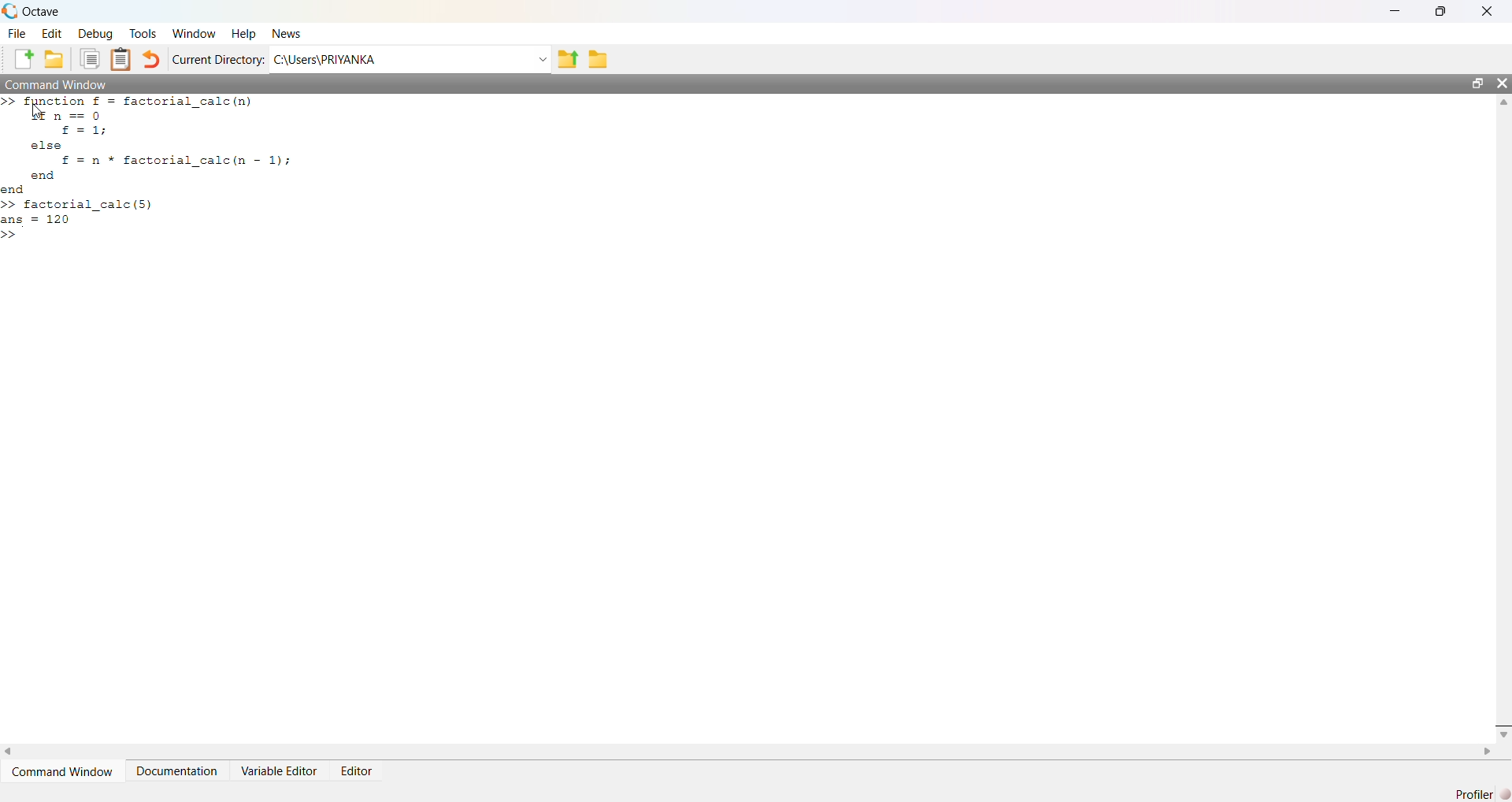 Image resolution: width=1512 pixels, height=802 pixels. What do you see at coordinates (1502, 733) in the screenshot?
I see `scroll down` at bounding box center [1502, 733].